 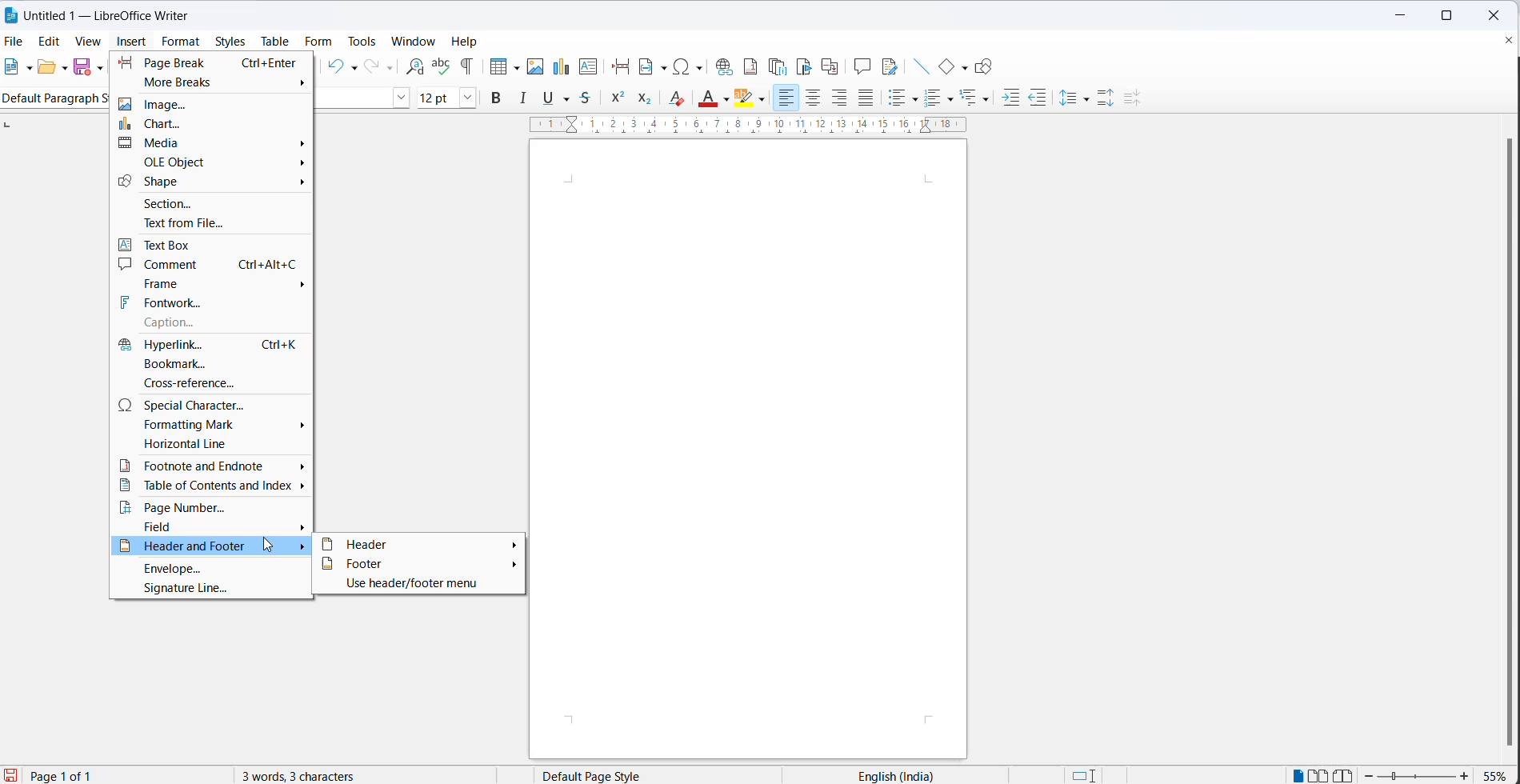 What do you see at coordinates (867, 98) in the screenshot?
I see `justified` at bounding box center [867, 98].